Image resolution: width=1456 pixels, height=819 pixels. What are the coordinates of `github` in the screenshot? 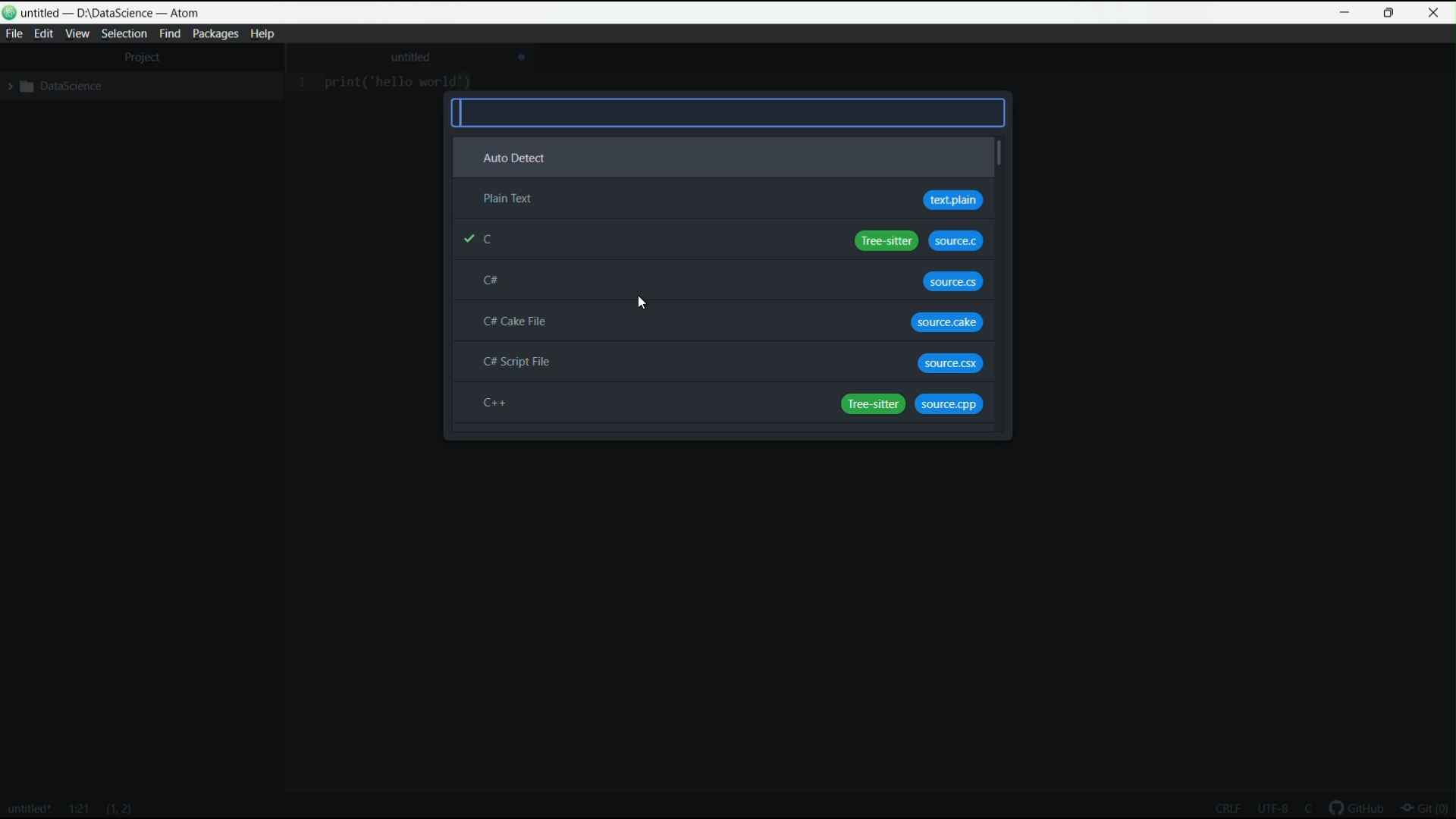 It's located at (1359, 809).